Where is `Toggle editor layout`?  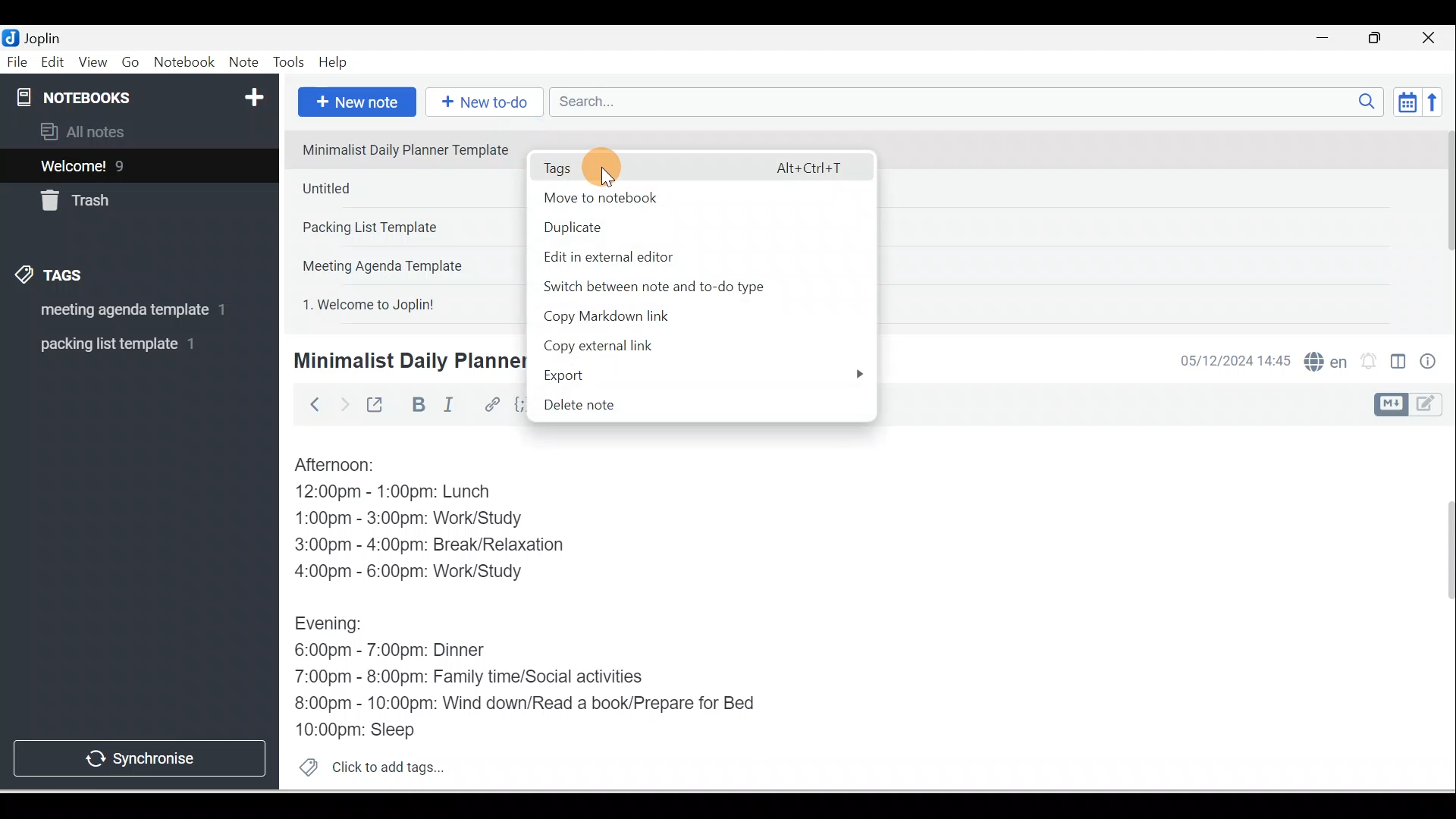 Toggle editor layout is located at coordinates (1414, 405).